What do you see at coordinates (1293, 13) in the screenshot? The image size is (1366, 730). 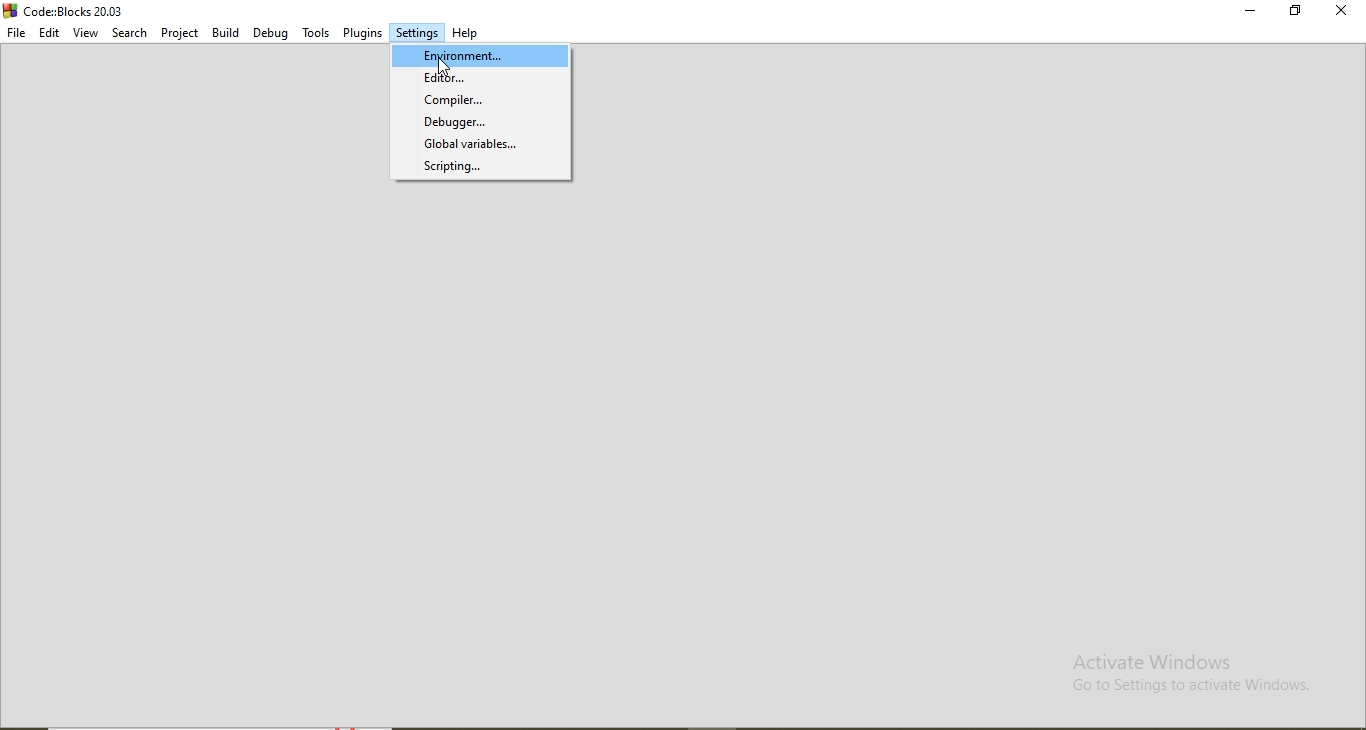 I see `Restore` at bounding box center [1293, 13].